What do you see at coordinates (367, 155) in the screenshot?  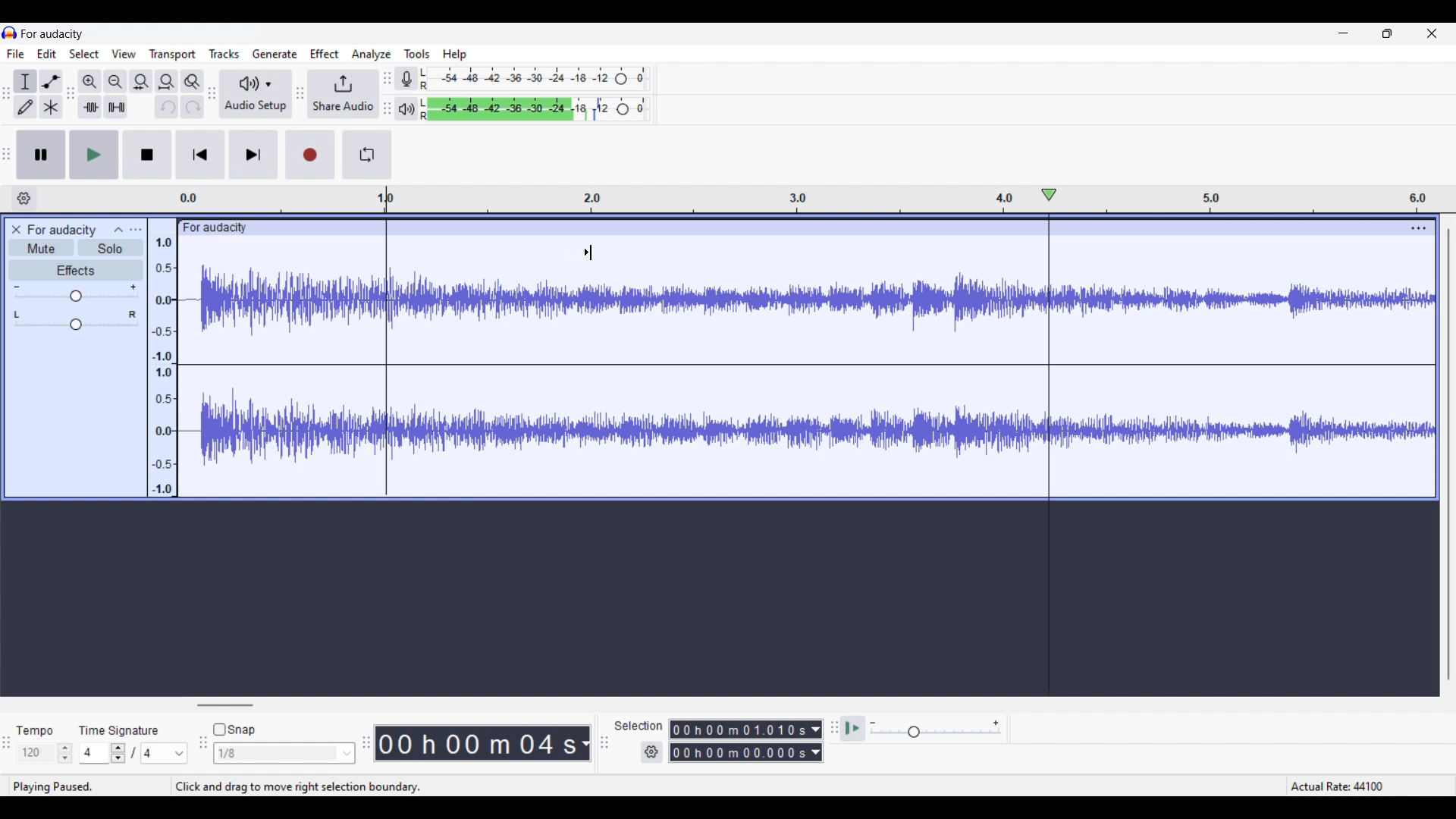 I see `Enable looping` at bounding box center [367, 155].